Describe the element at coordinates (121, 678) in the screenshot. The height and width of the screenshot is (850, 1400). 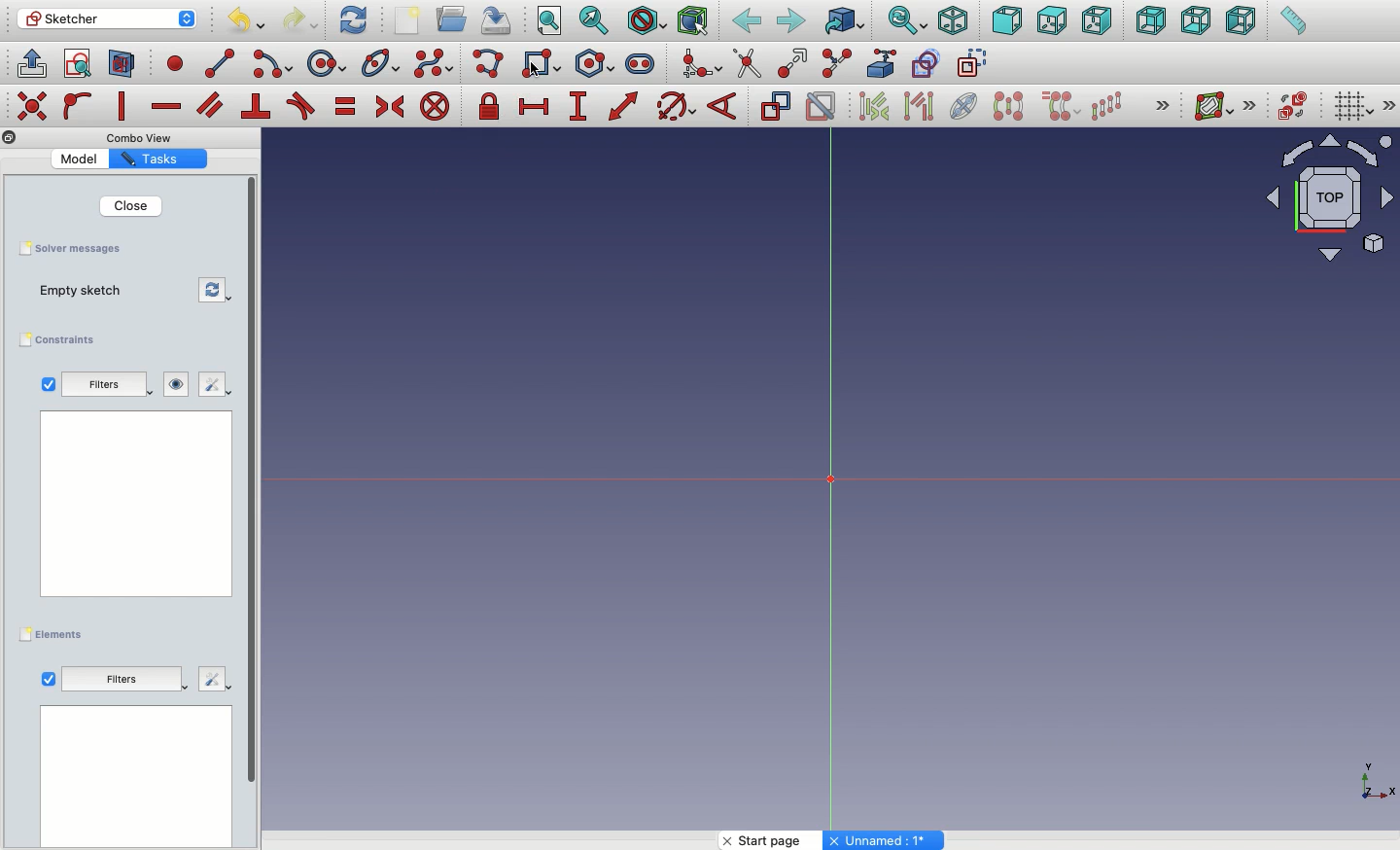
I see `Filters` at that location.